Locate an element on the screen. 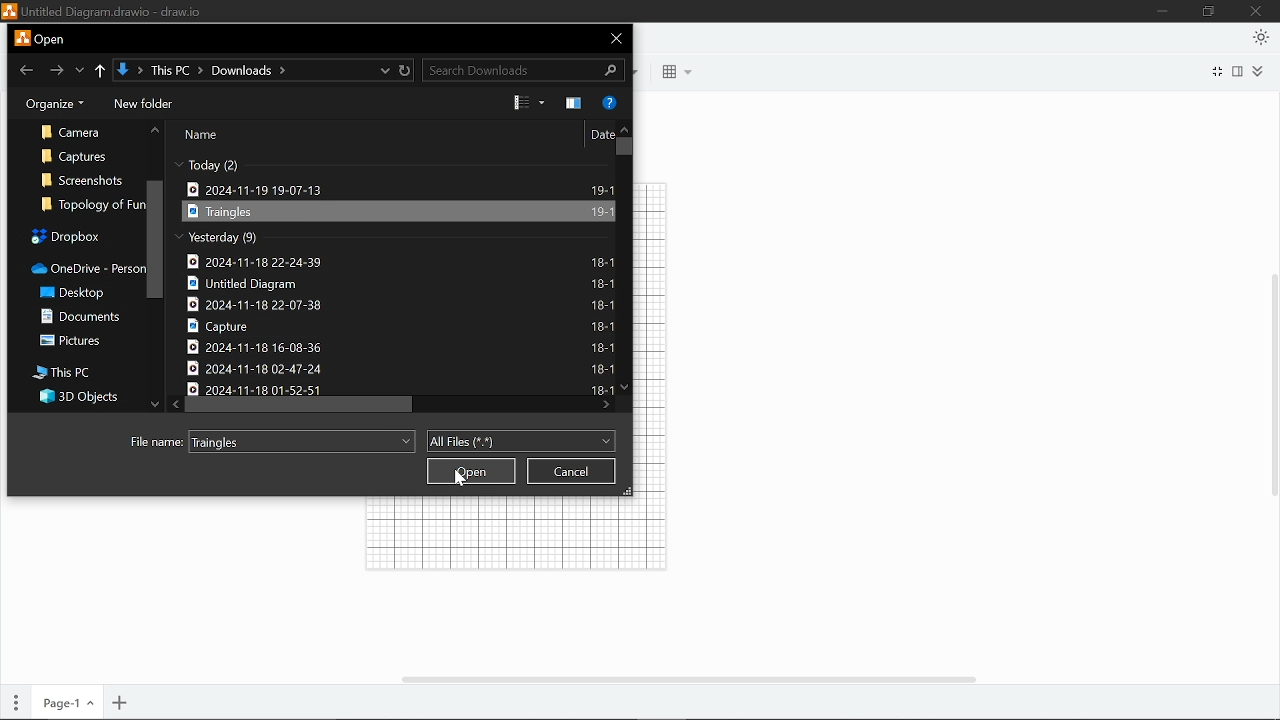  Forward is located at coordinates (55, 70).